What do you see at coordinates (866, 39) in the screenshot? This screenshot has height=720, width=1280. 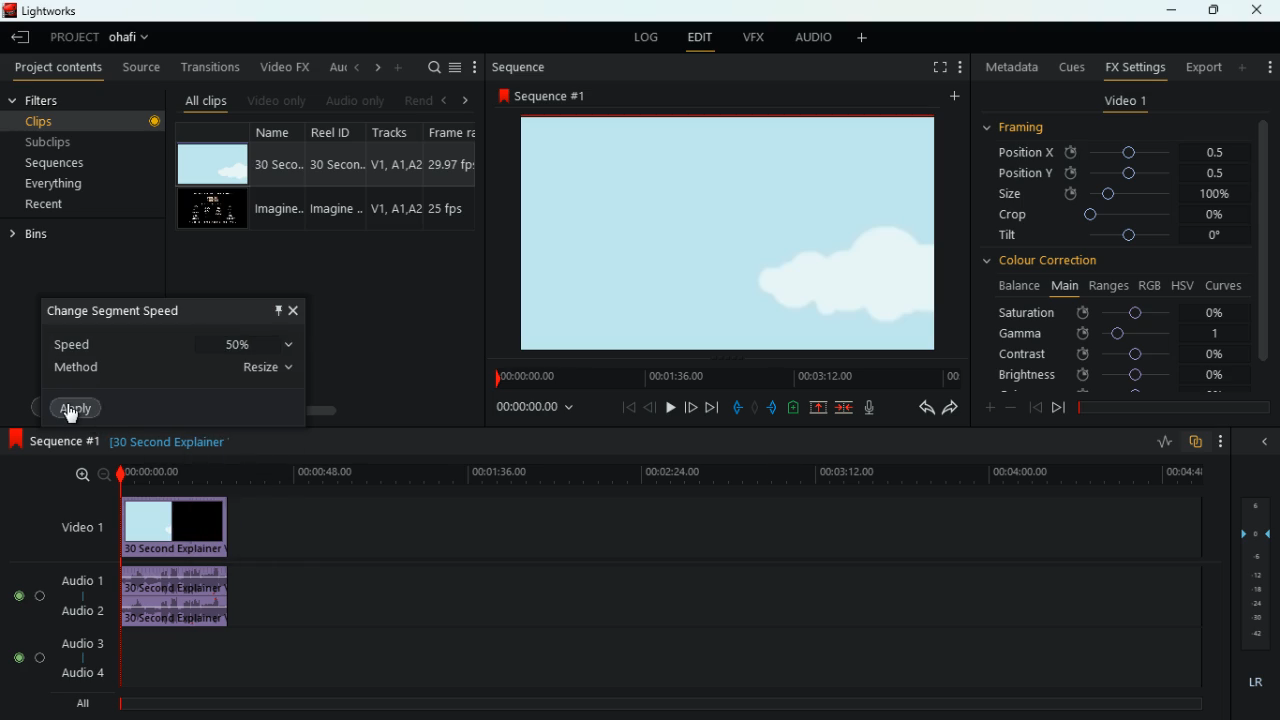 I see `more` at bounding box center [866, 39].